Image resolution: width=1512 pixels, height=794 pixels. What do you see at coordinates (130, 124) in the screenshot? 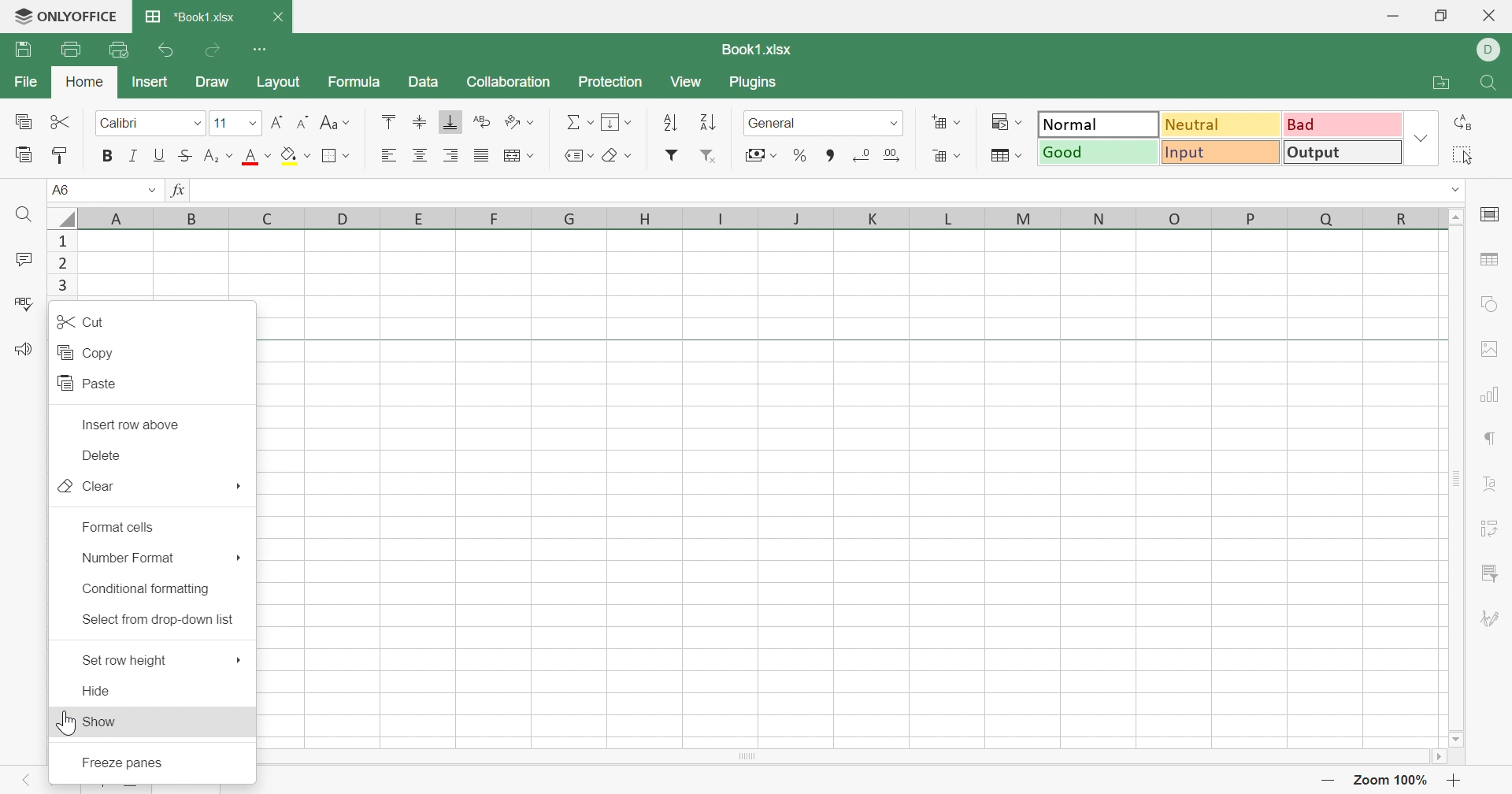
I see `Calibri` at bounding box center [130, 124].